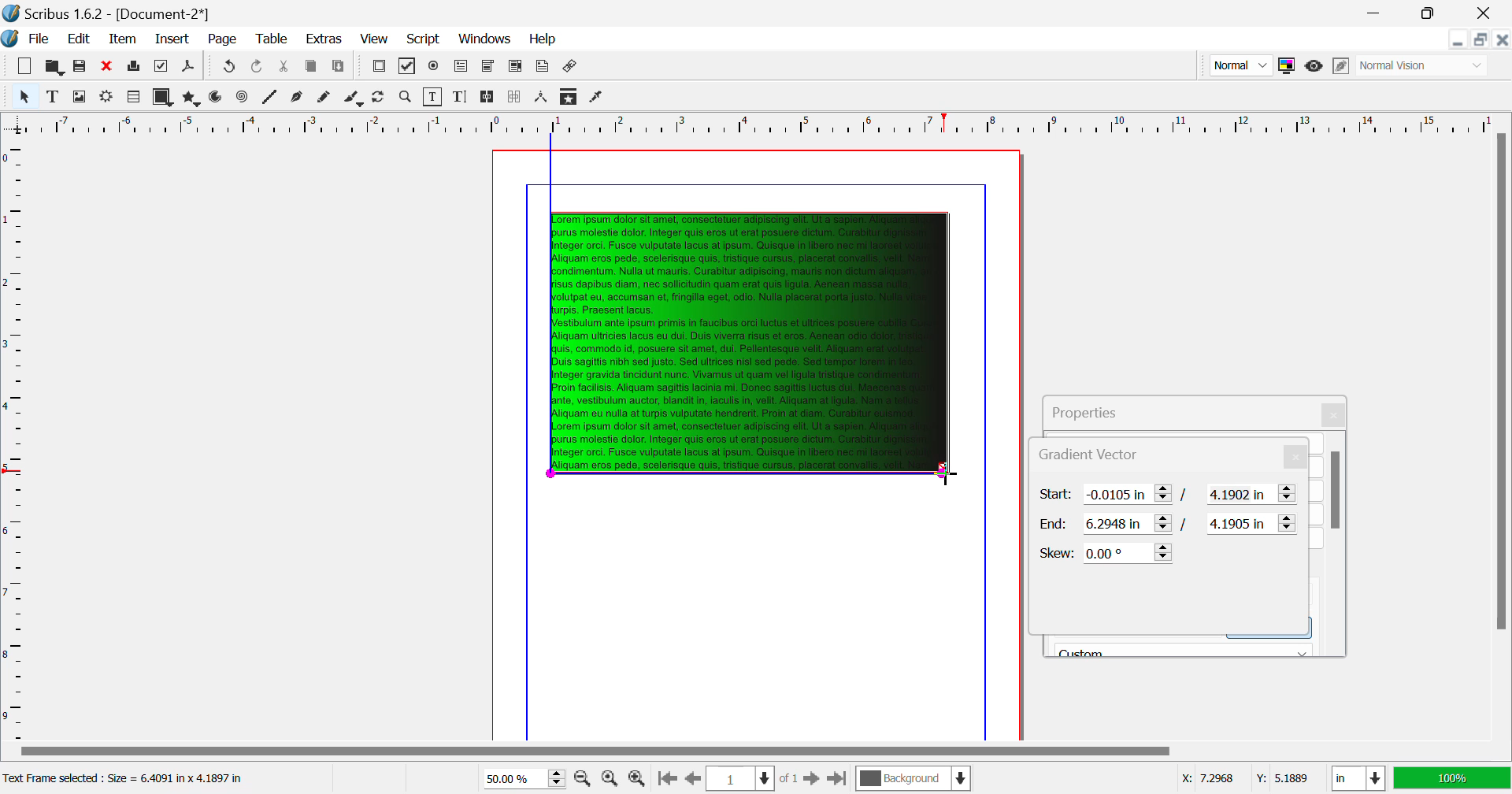 This screenshot has height=794, width=1512. Describe the element at coordinates (1286, 65) in the screenshot. I see `Toggle Color Management` at that location.